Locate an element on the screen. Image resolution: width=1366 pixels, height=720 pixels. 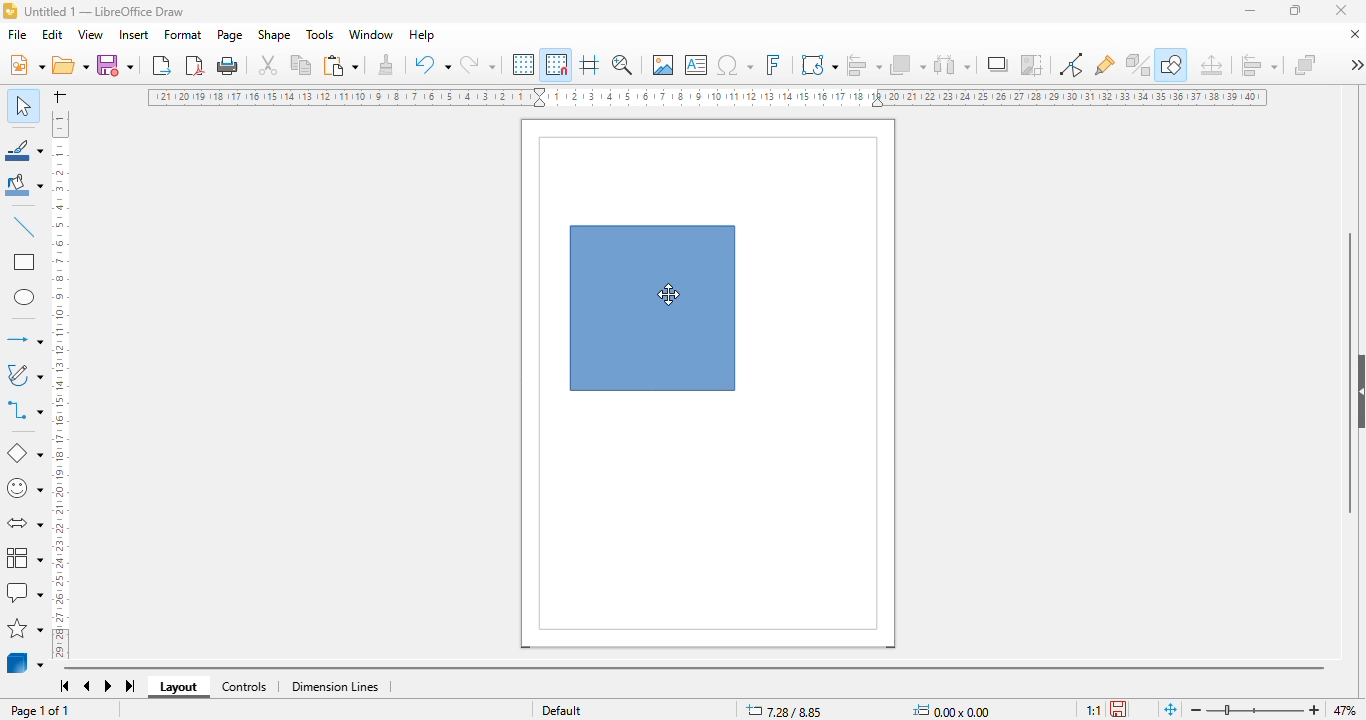
title is located at coordinates (104, 11).